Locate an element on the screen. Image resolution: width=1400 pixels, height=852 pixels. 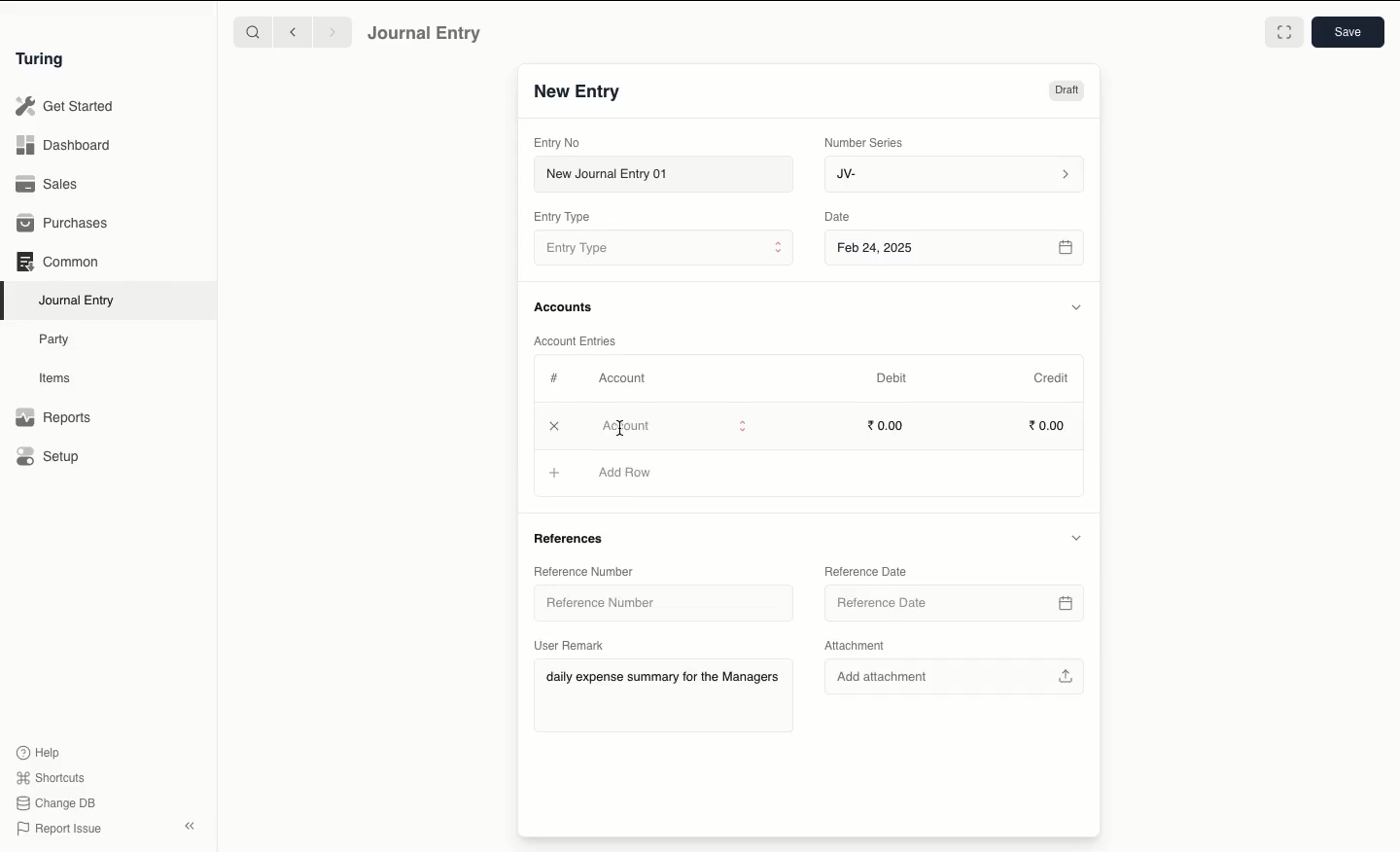
Shortcuts is located at coordinates (53, 778).